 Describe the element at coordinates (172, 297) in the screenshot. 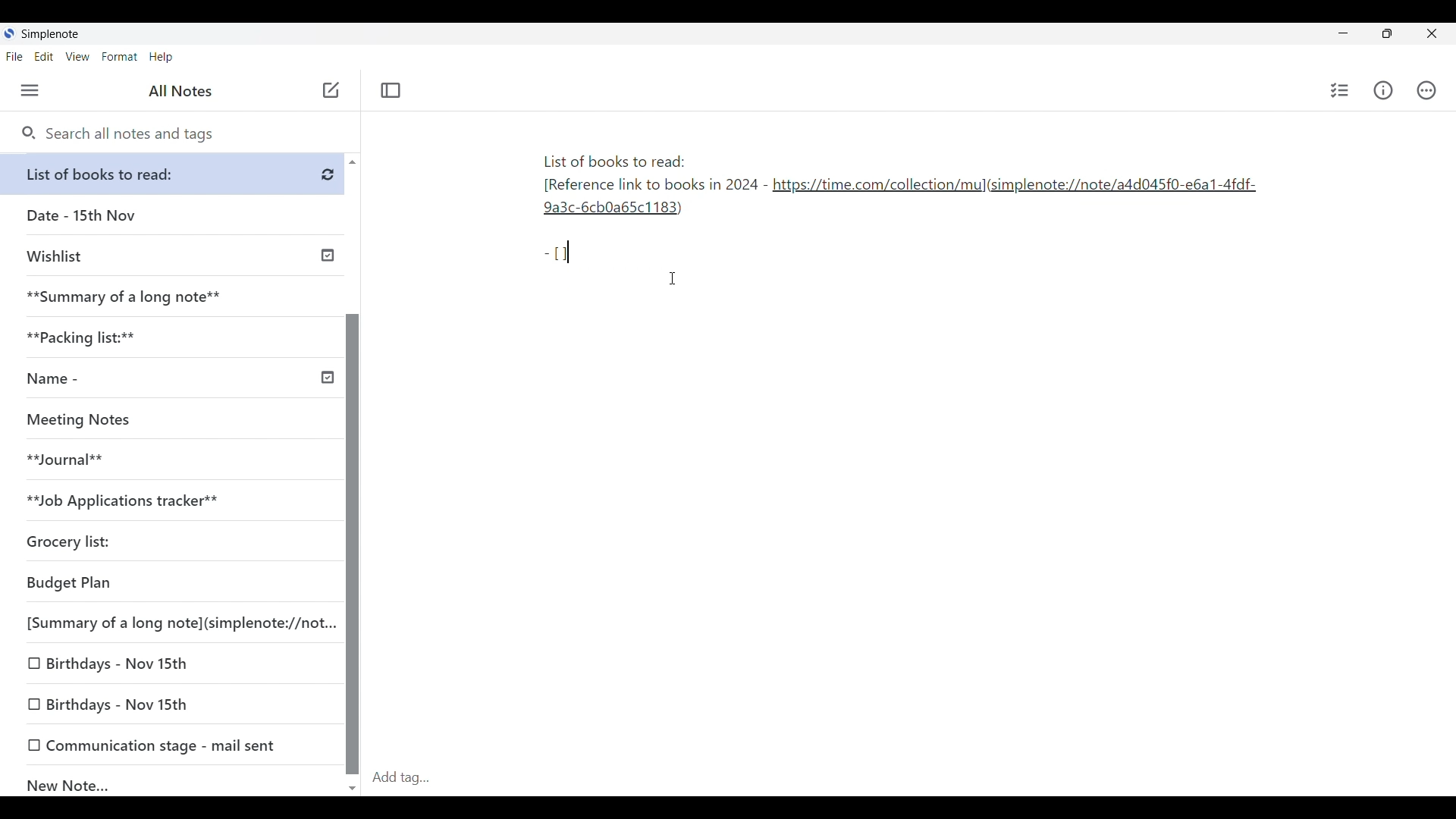

I see `**Summary of a long note**` at that location.